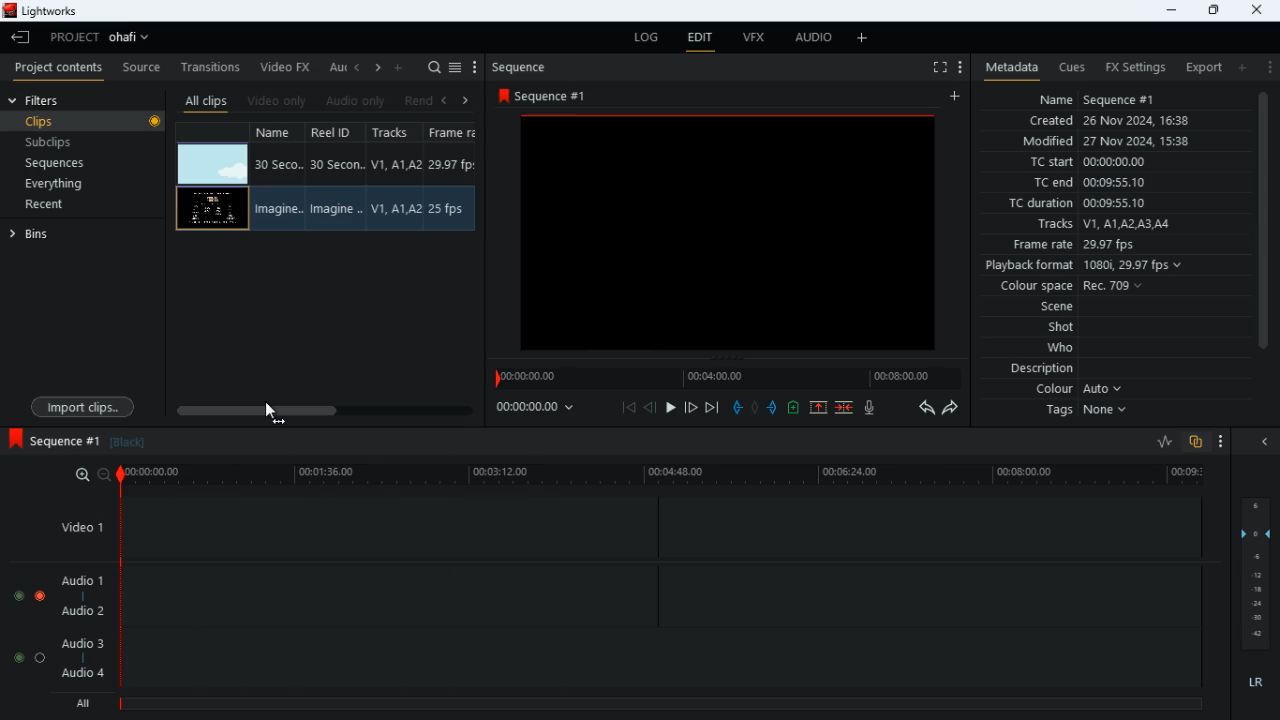 The width and height of the screenshot is (1280, 720). I want to click on audio 2, so click(83, 611).